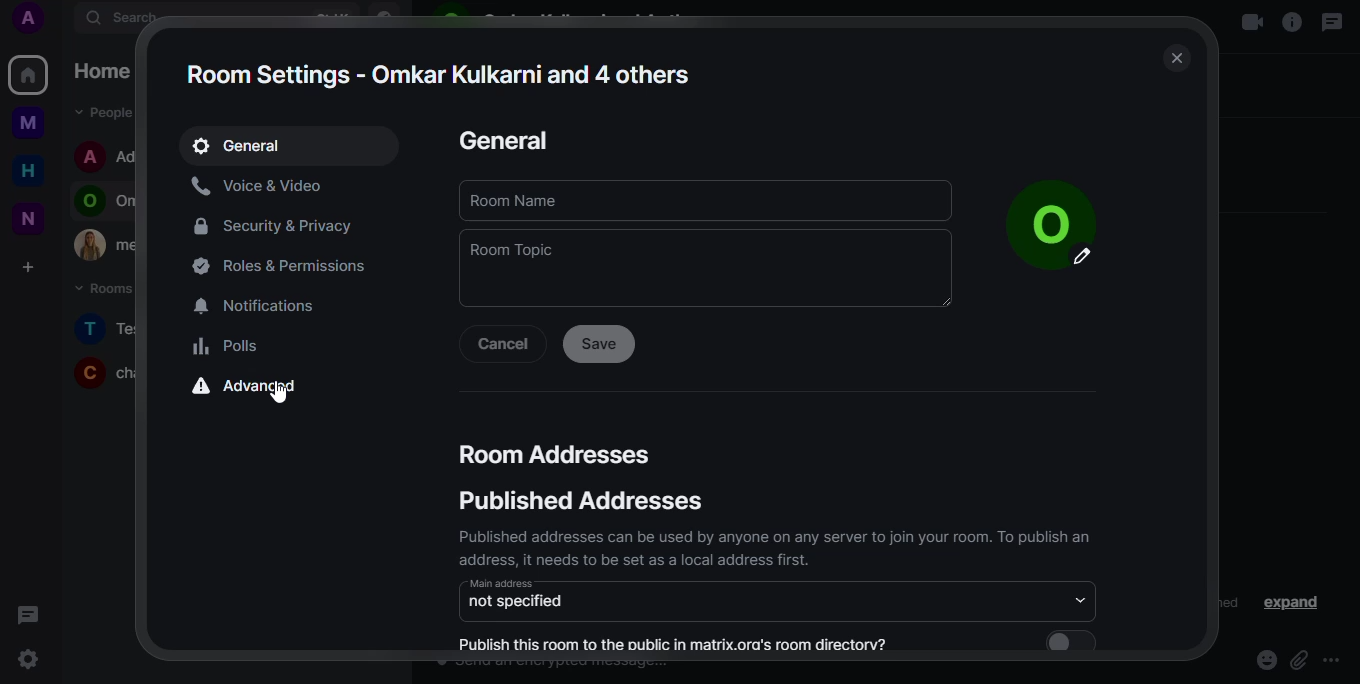 This screenshot has height=684, width=1360. I want to click on more, so click(1336, 660).